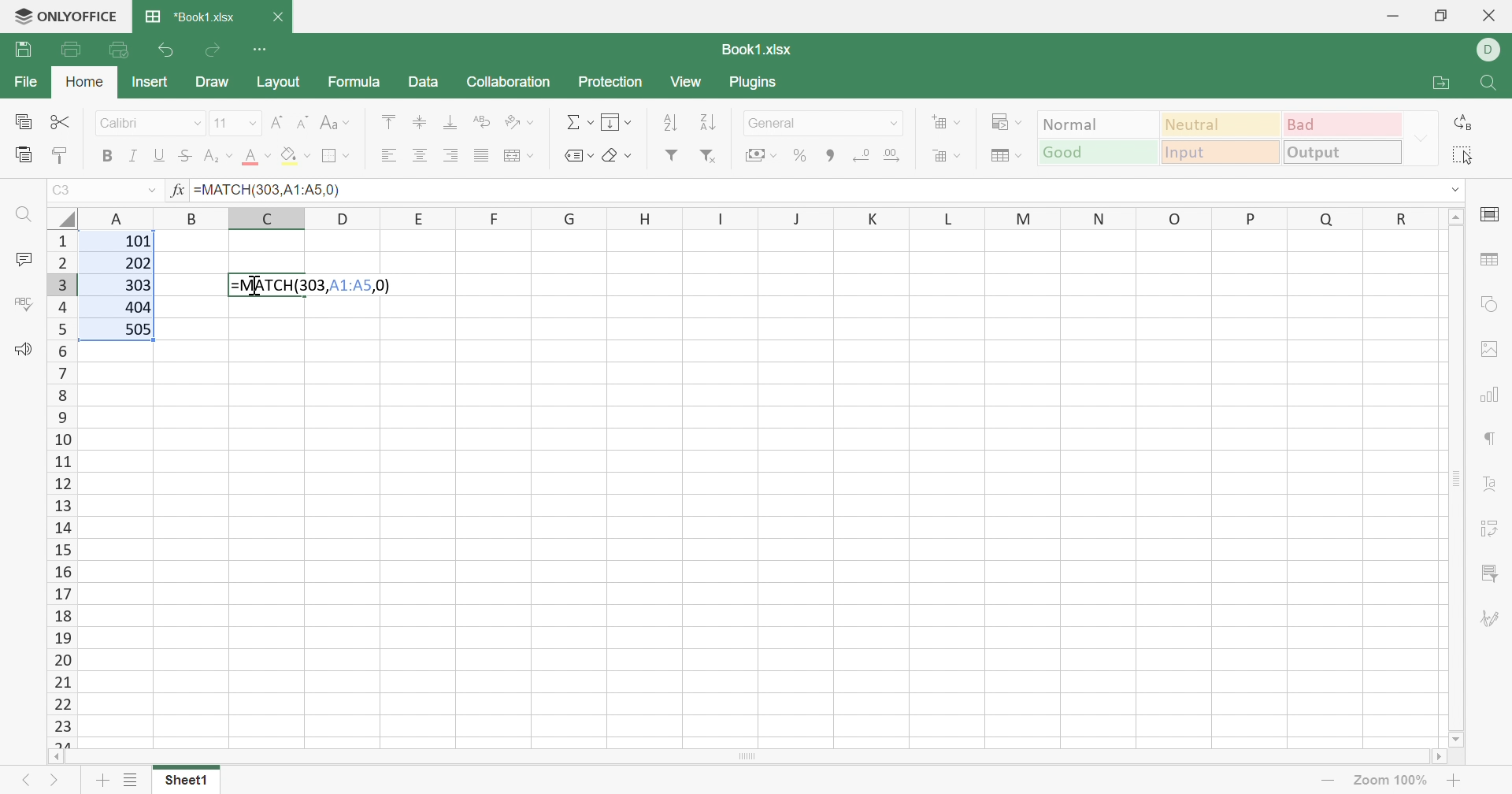 The image size is (1512, 794). What do you see at coordinates (355, 80) in the screenshot?
I see `Formula` at bounding box center [355, 80].